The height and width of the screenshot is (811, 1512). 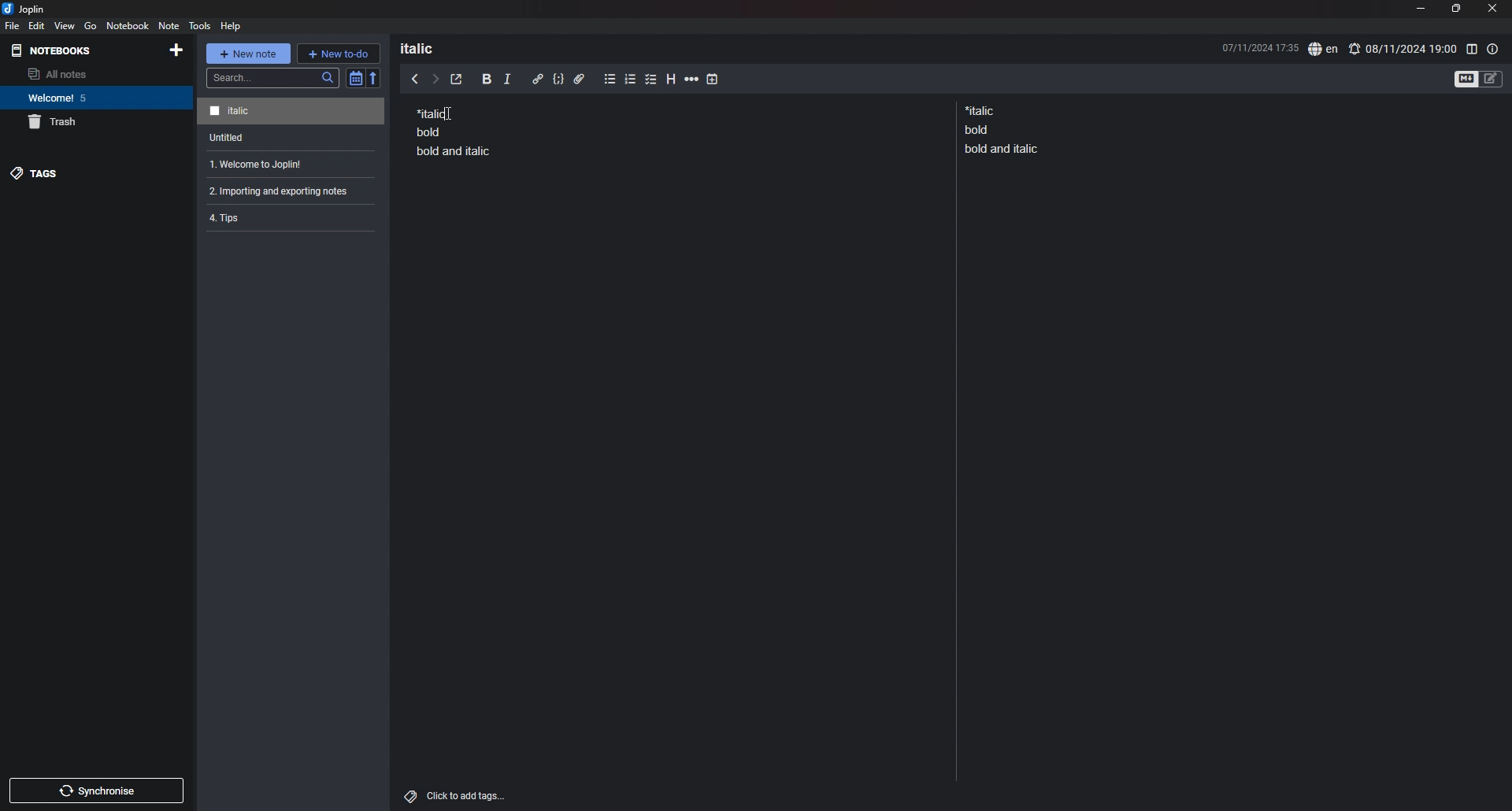 What do you see at coordinates (285, 217) in the screenshot?
I see `note` at bounding box center [285, 217].